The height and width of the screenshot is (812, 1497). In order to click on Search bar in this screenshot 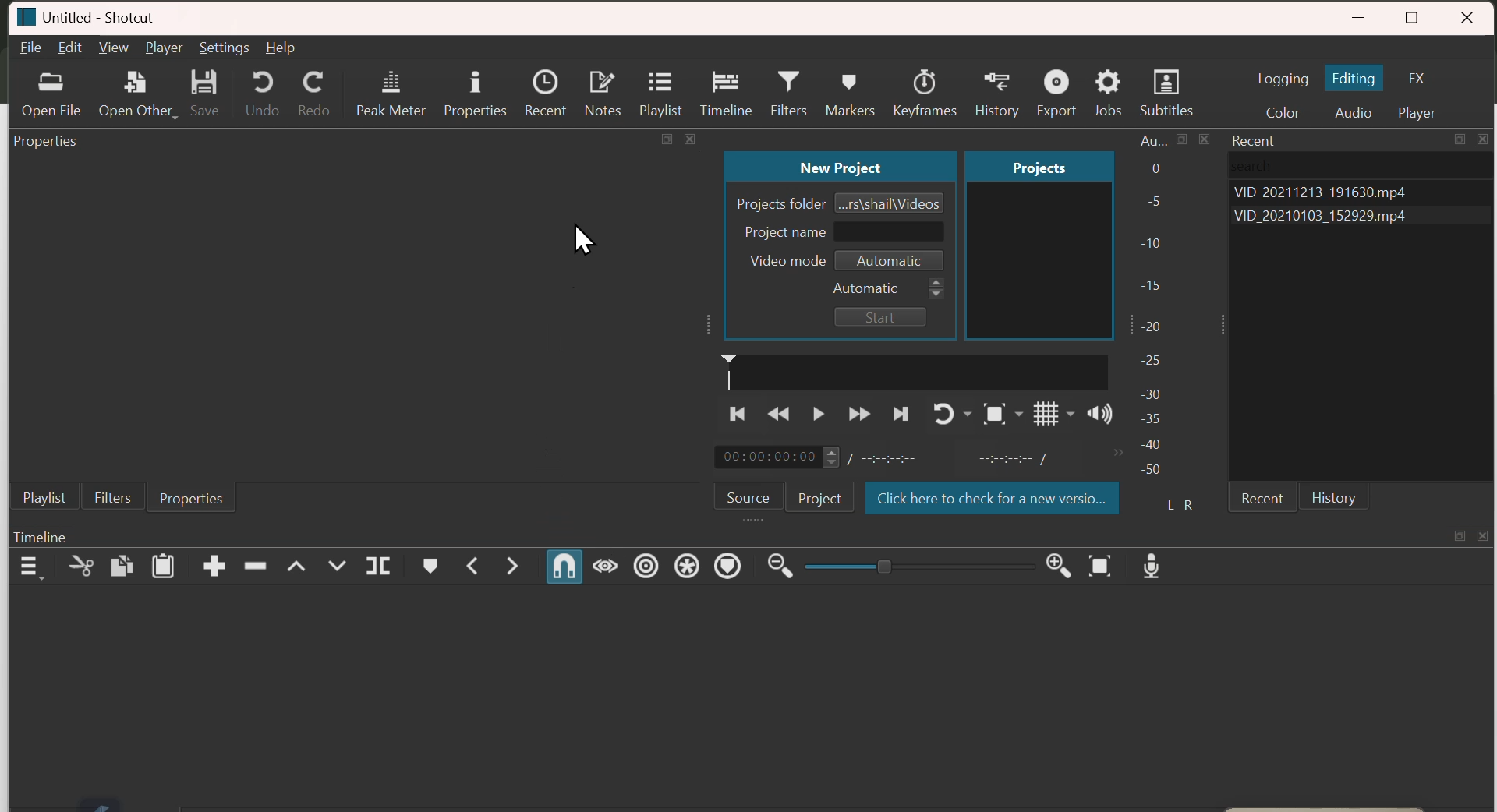, I will do `click(1363, 166)`.